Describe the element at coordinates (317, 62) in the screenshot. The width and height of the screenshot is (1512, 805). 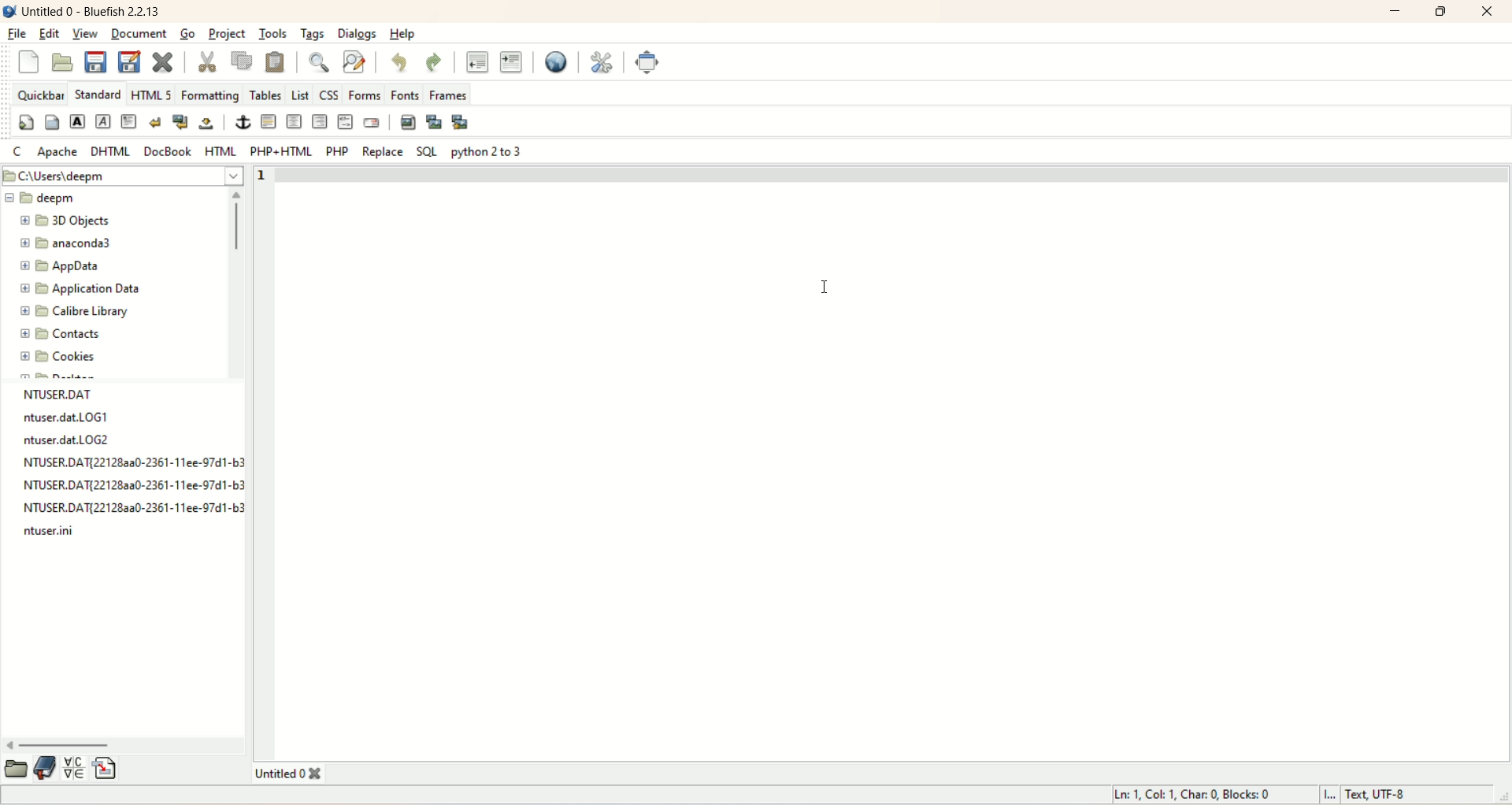
I see `find` at that location.